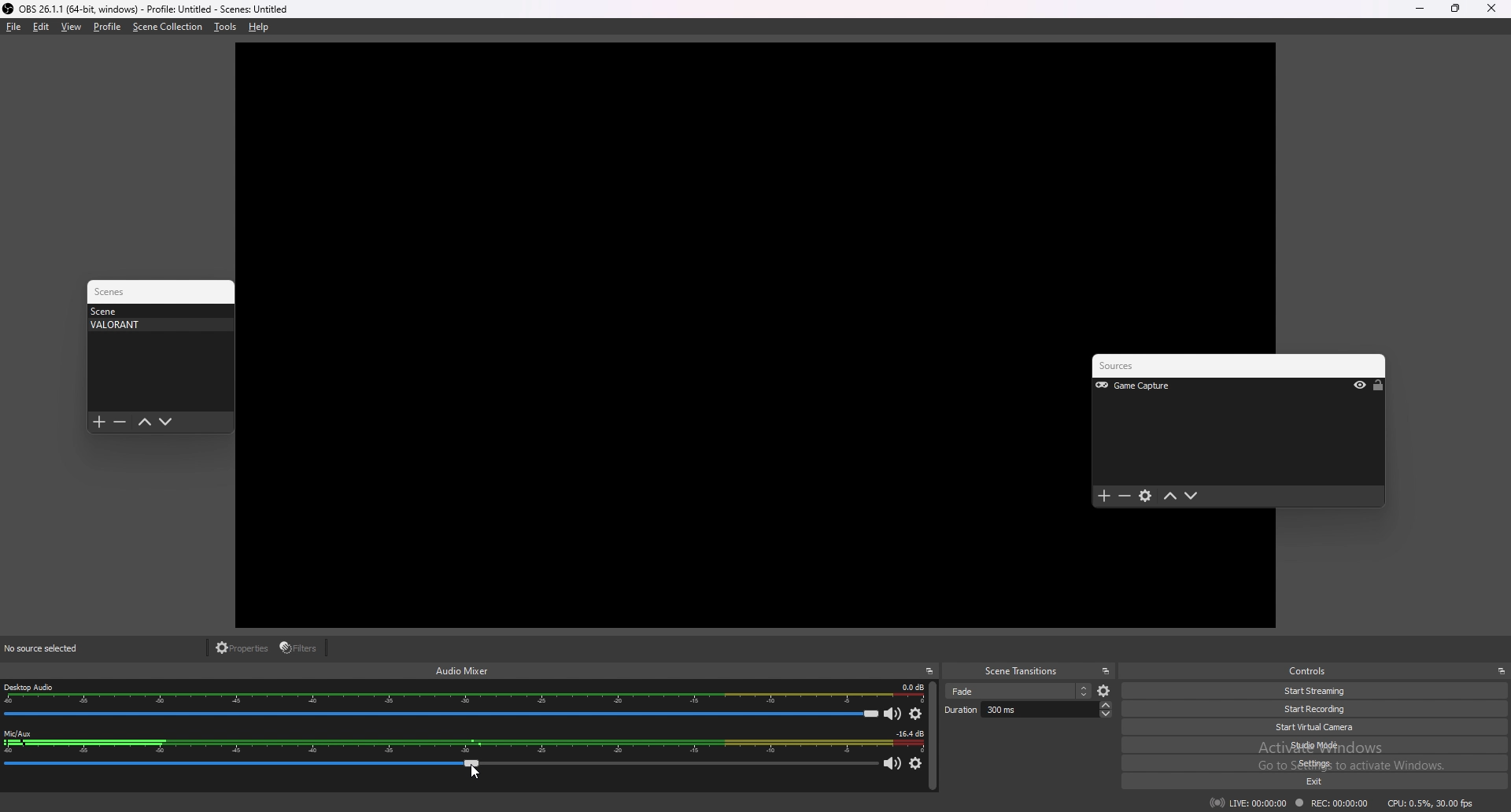 This screenshot has height=812, width=1511. Describe the element at coordinates (1328, 782) in the screenshot. I see `exit` at that location.